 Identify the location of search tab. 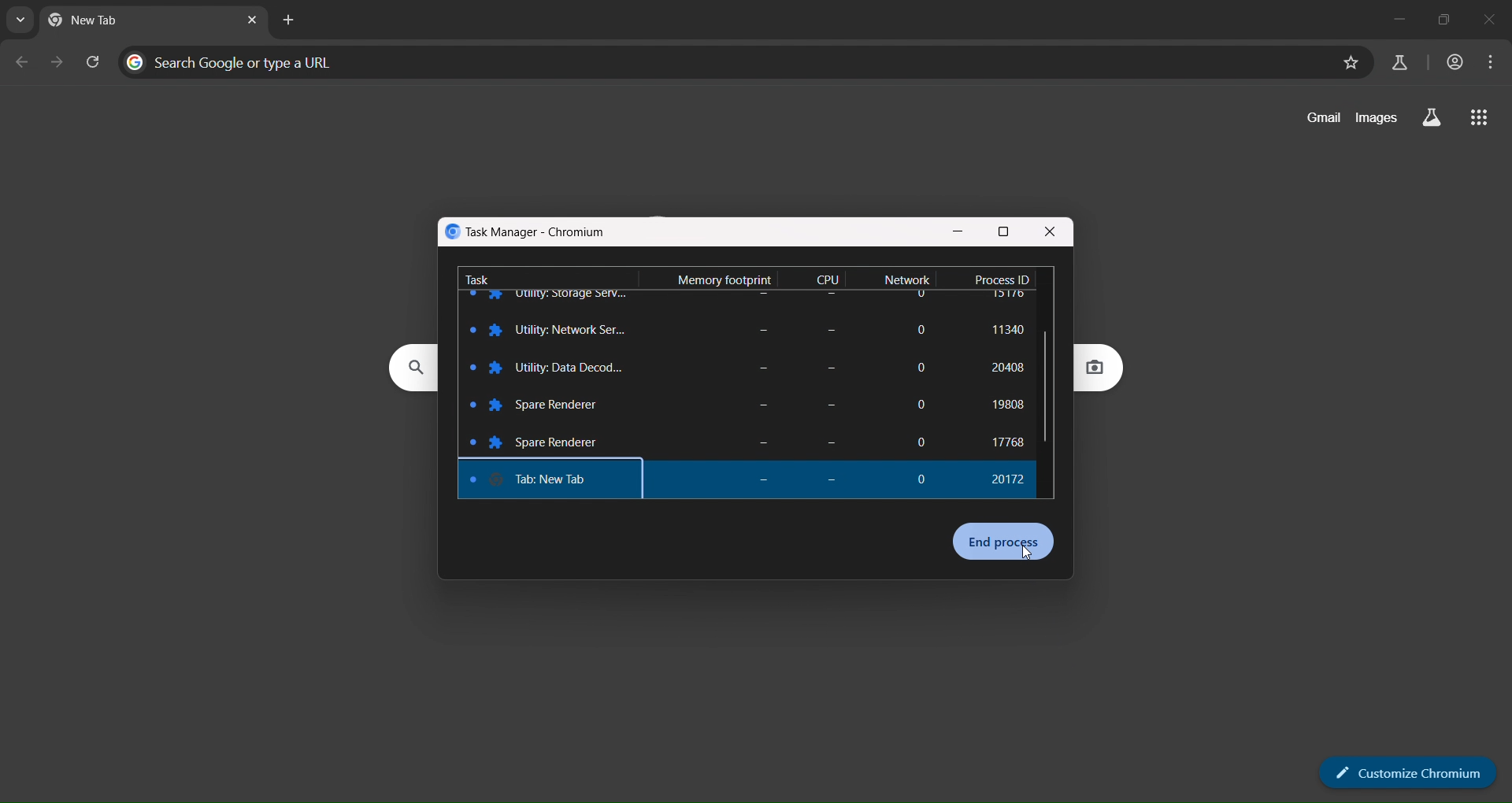
(21, 23).